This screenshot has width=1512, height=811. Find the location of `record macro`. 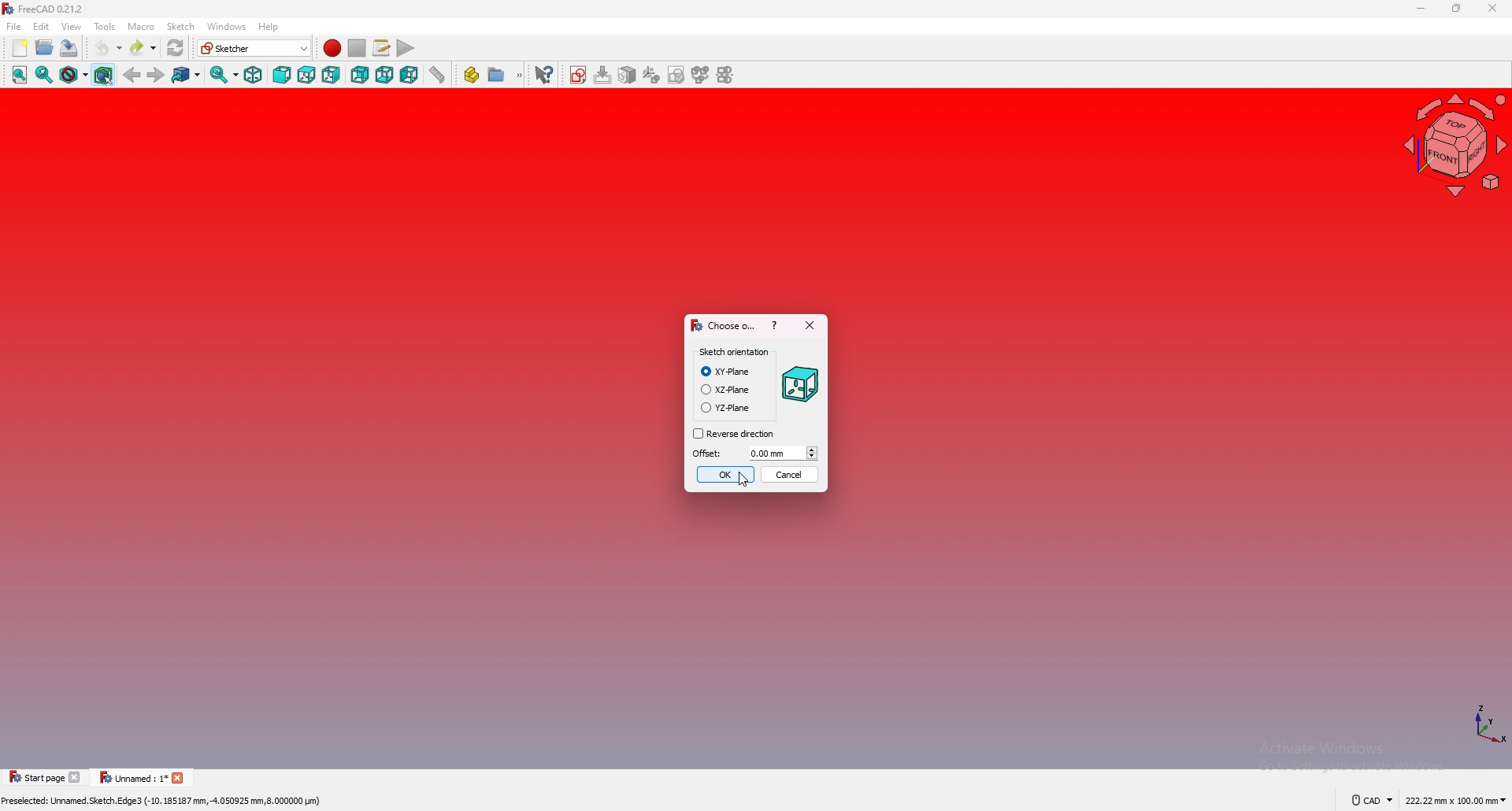

record macro is located at coordinates (333, 48).